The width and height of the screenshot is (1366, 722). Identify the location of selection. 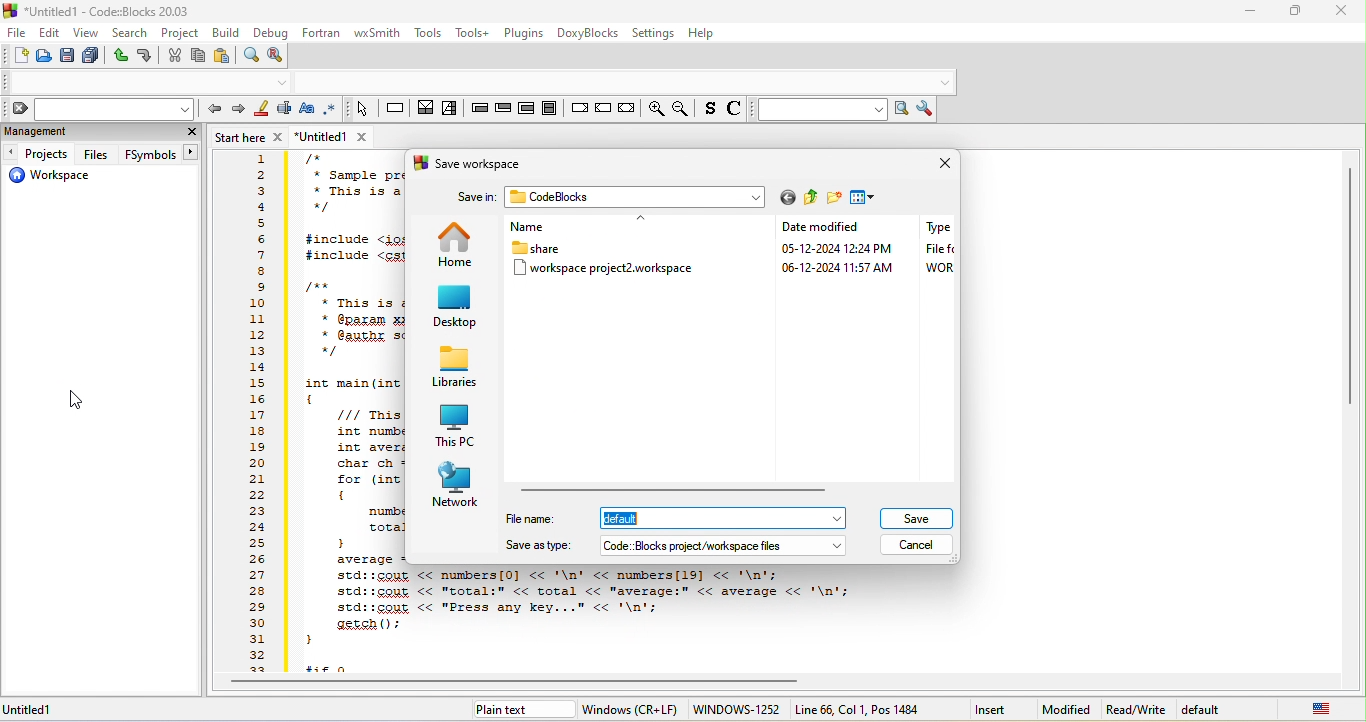
(452, 111).